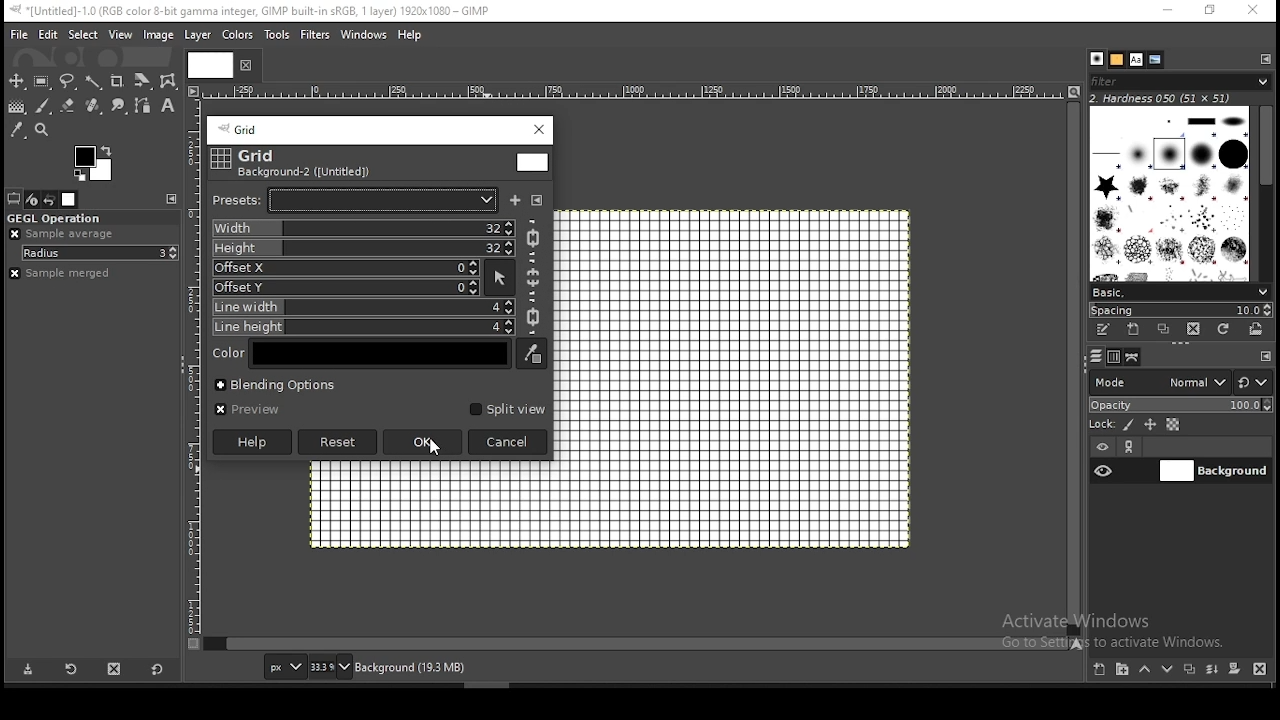 This screenshot has width=1280, height=720. Describe the element at coordinates (535, 278) in the screenshot. I see `constraint proportions` at that location.